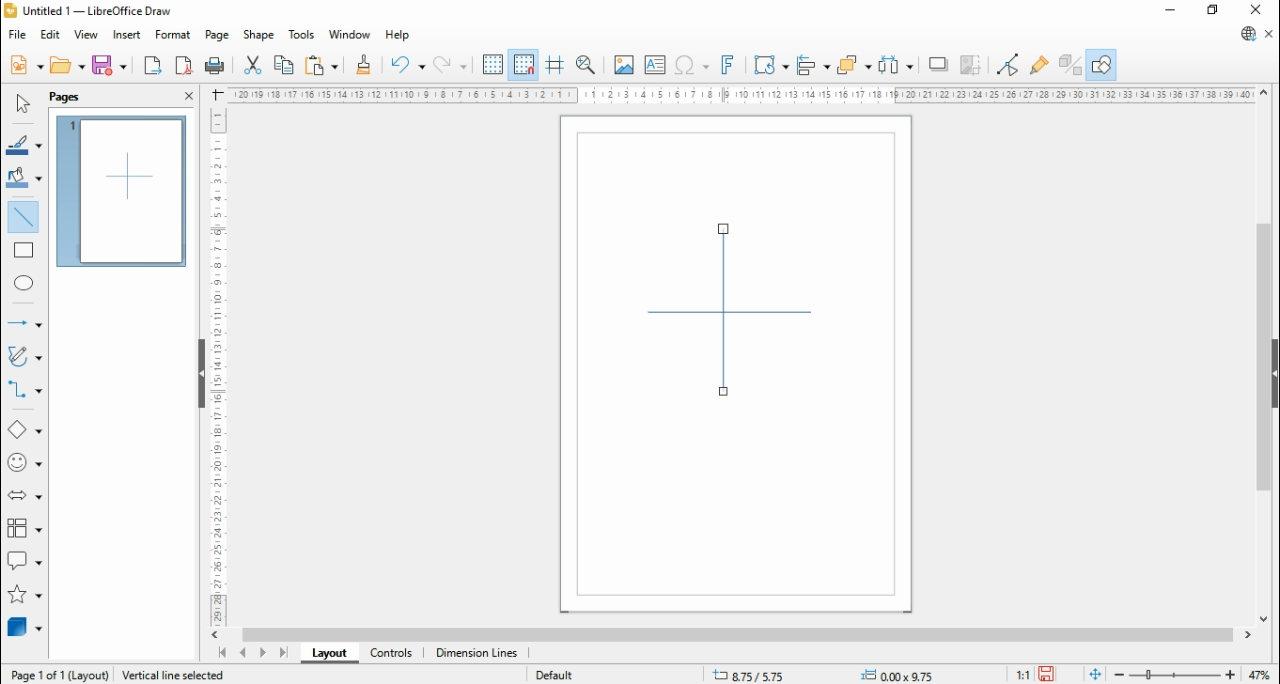 Image resolution: width=1280 pixels, height=684 pixels. What do you see at coordinates (21, 104) in the screenshot?
I see `select` at bounding box center [21, 104].